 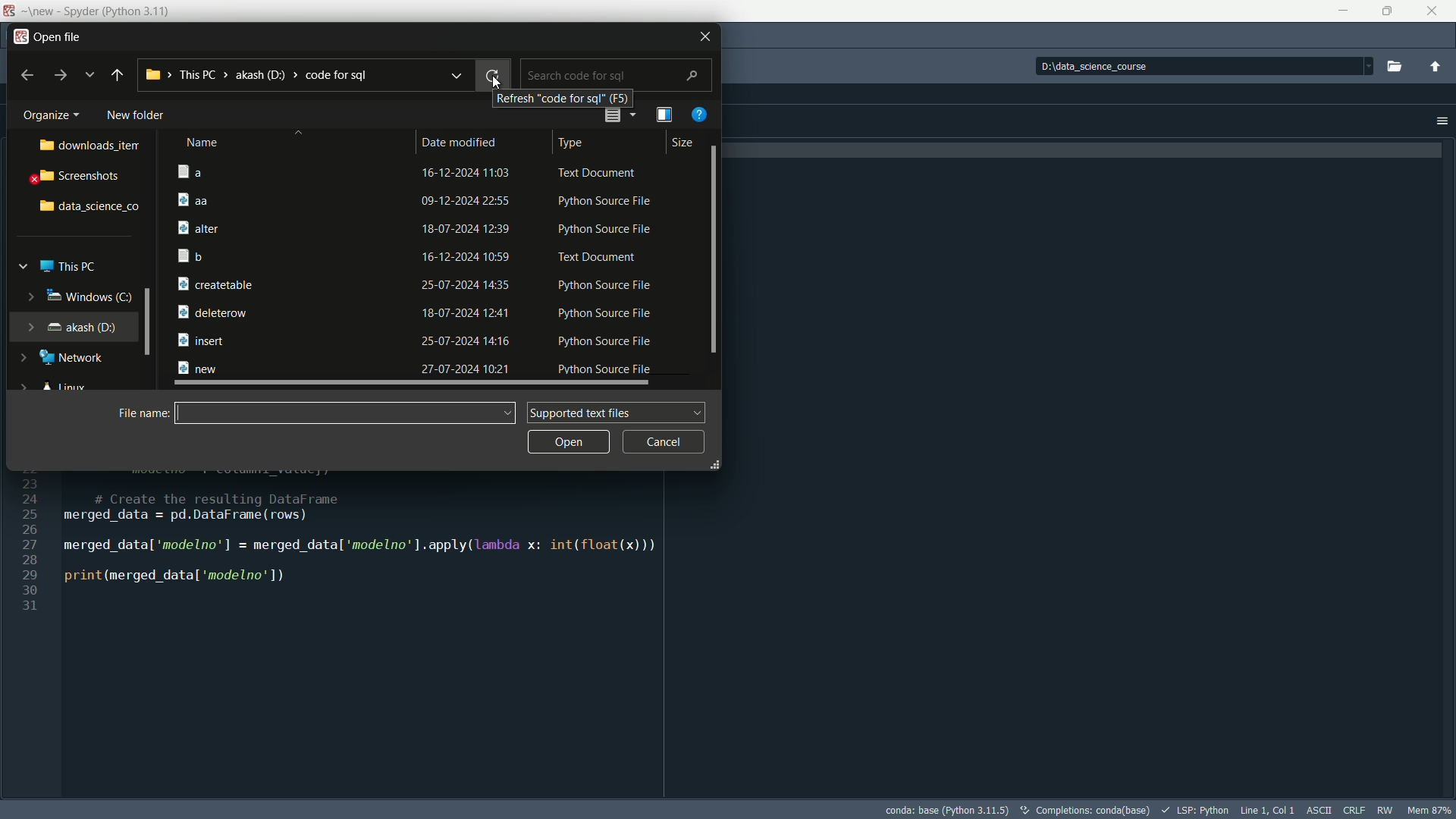 I want to click on this pc, so click(x=71, y=267).